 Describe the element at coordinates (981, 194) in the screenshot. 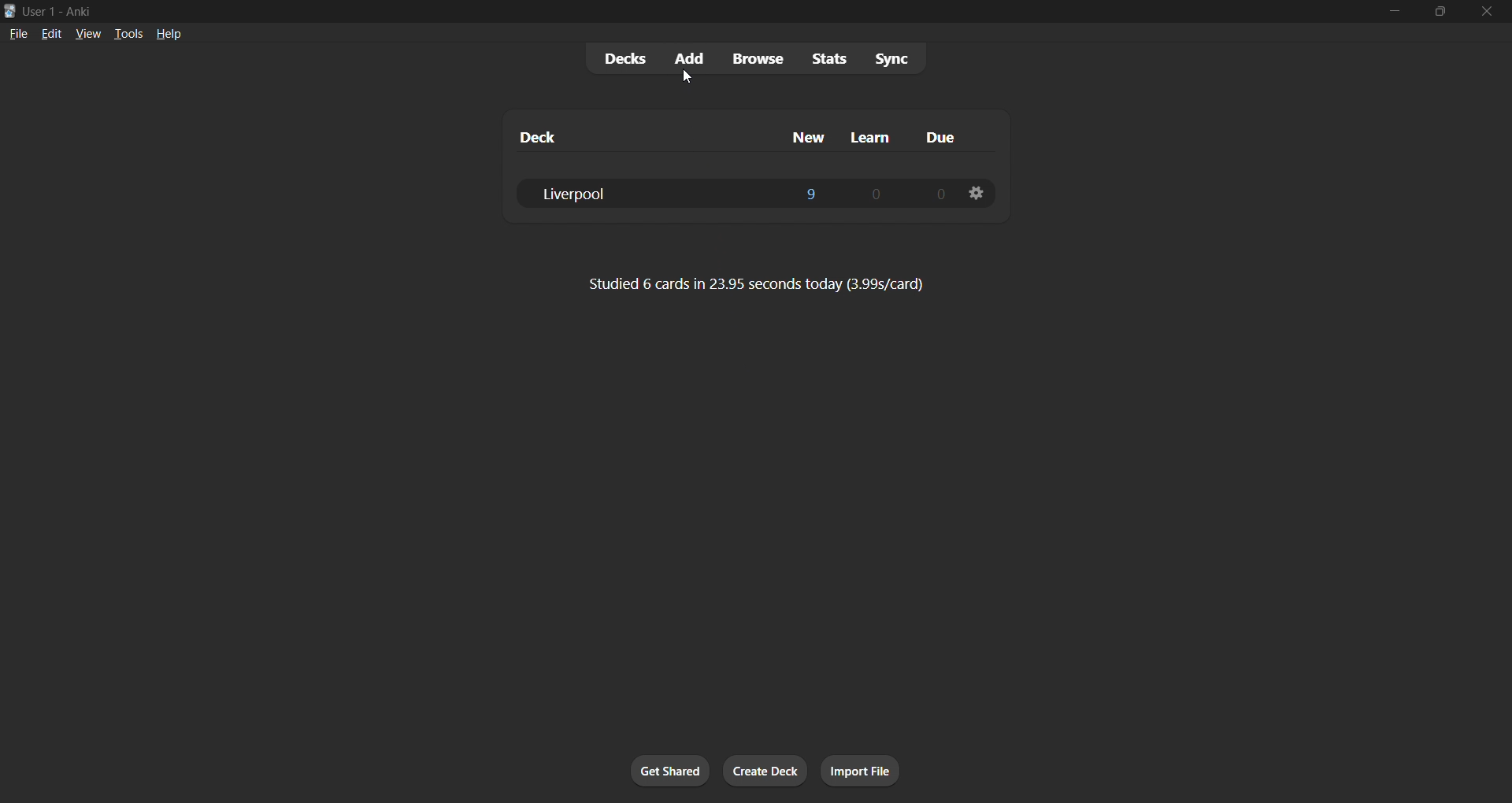

I see `deck settings` at that location.